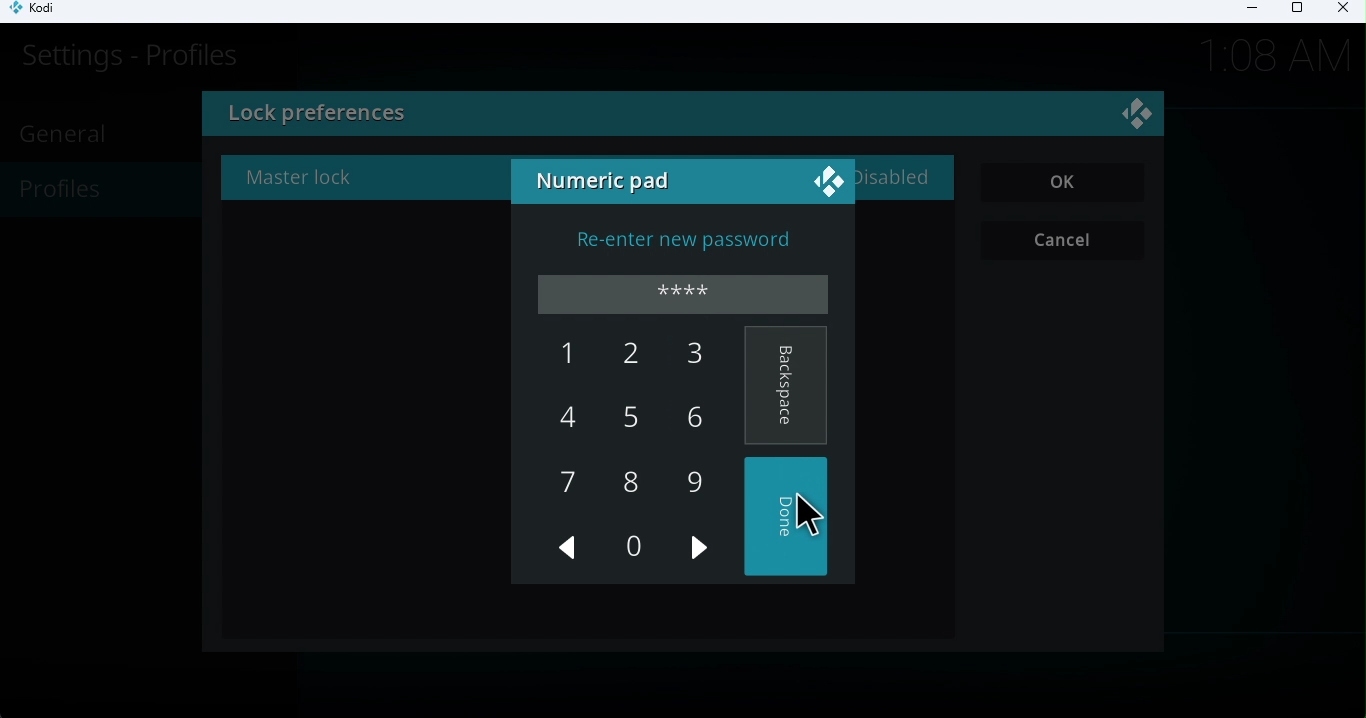 The height and width of the screenshot is (718, 1366). I want to click on Close, so click(1340, 11).